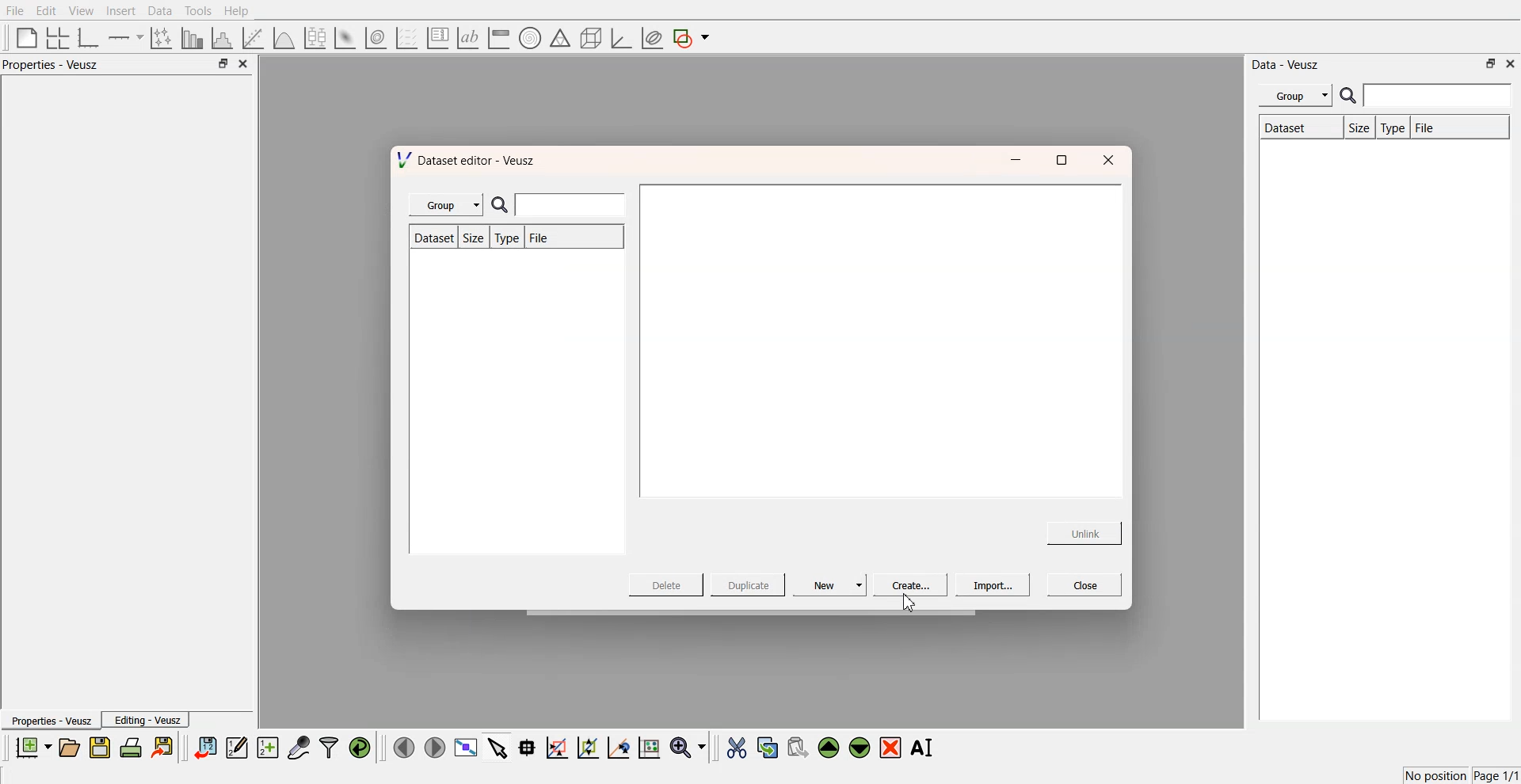 The width and height of the screenshot is (1521, 784). I want to click on histogram, so click(225, 37).